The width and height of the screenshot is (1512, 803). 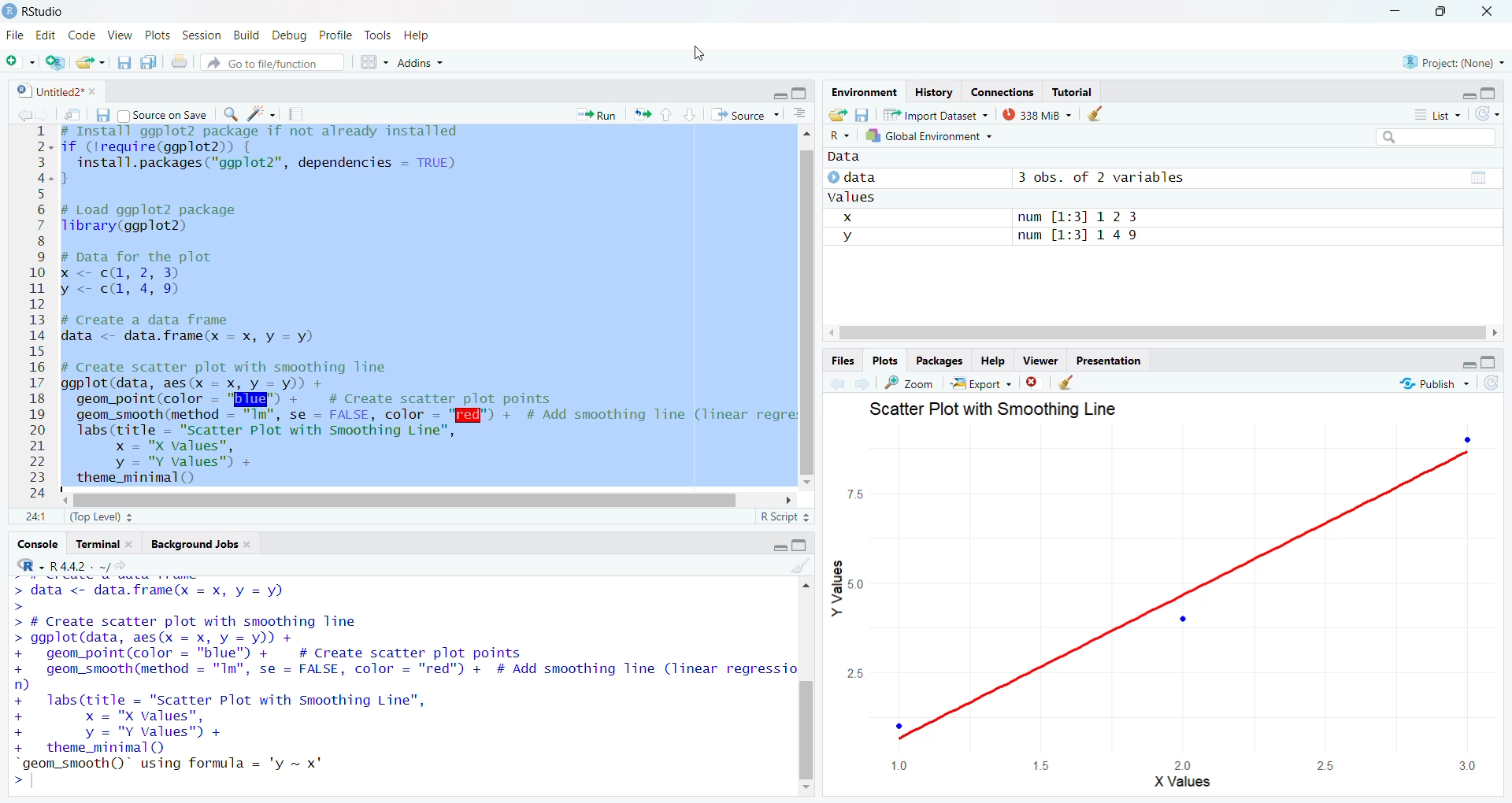 What do you see at coordinates (58, 61) in the screenshot?
I see `create new project` at bounding box center [58, 61].